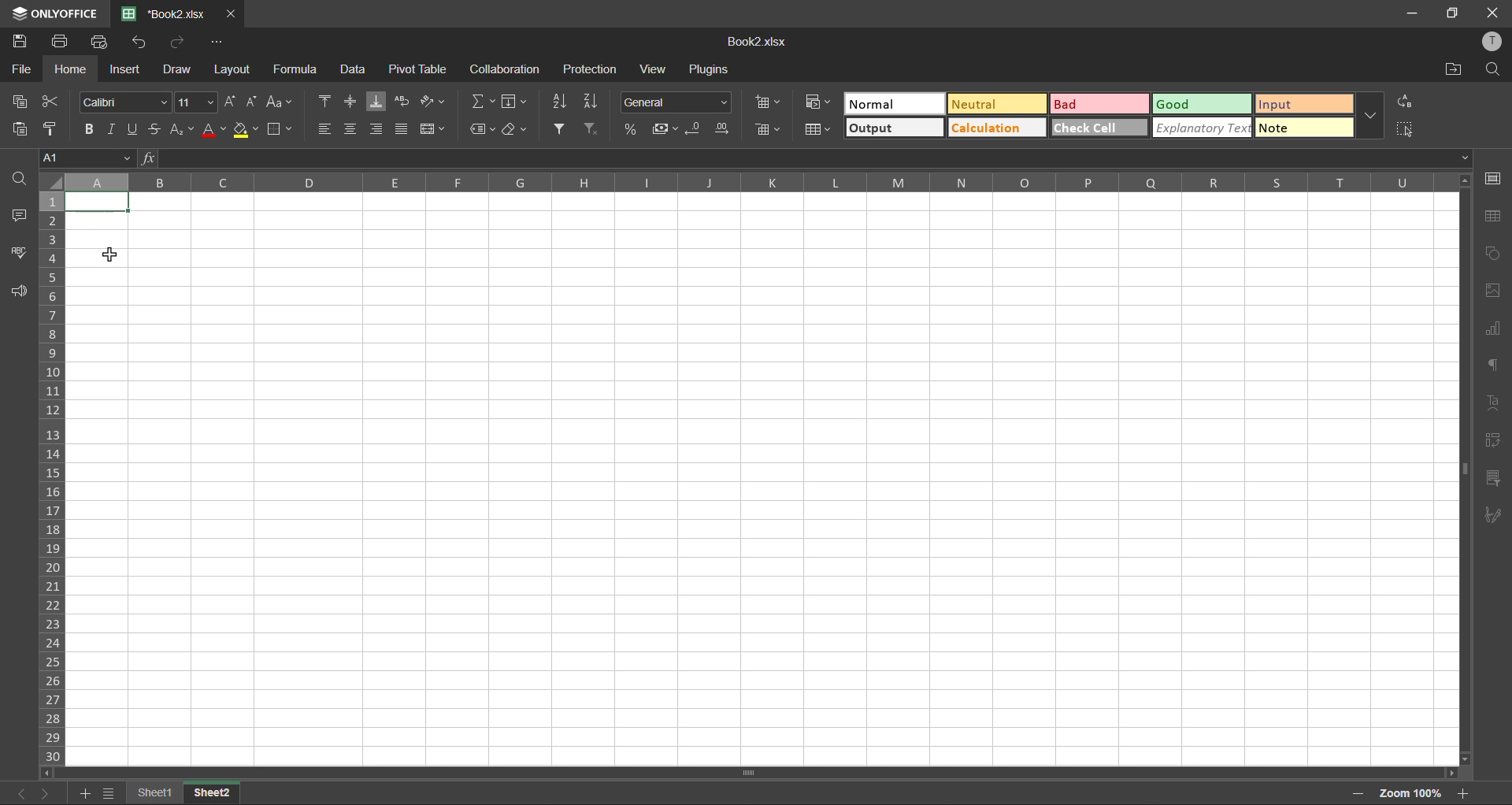 The width and height of the screenshot is (1512, 805). Describe the element at coordinates (71, 69) in the screenshot. I see `home` at that location.